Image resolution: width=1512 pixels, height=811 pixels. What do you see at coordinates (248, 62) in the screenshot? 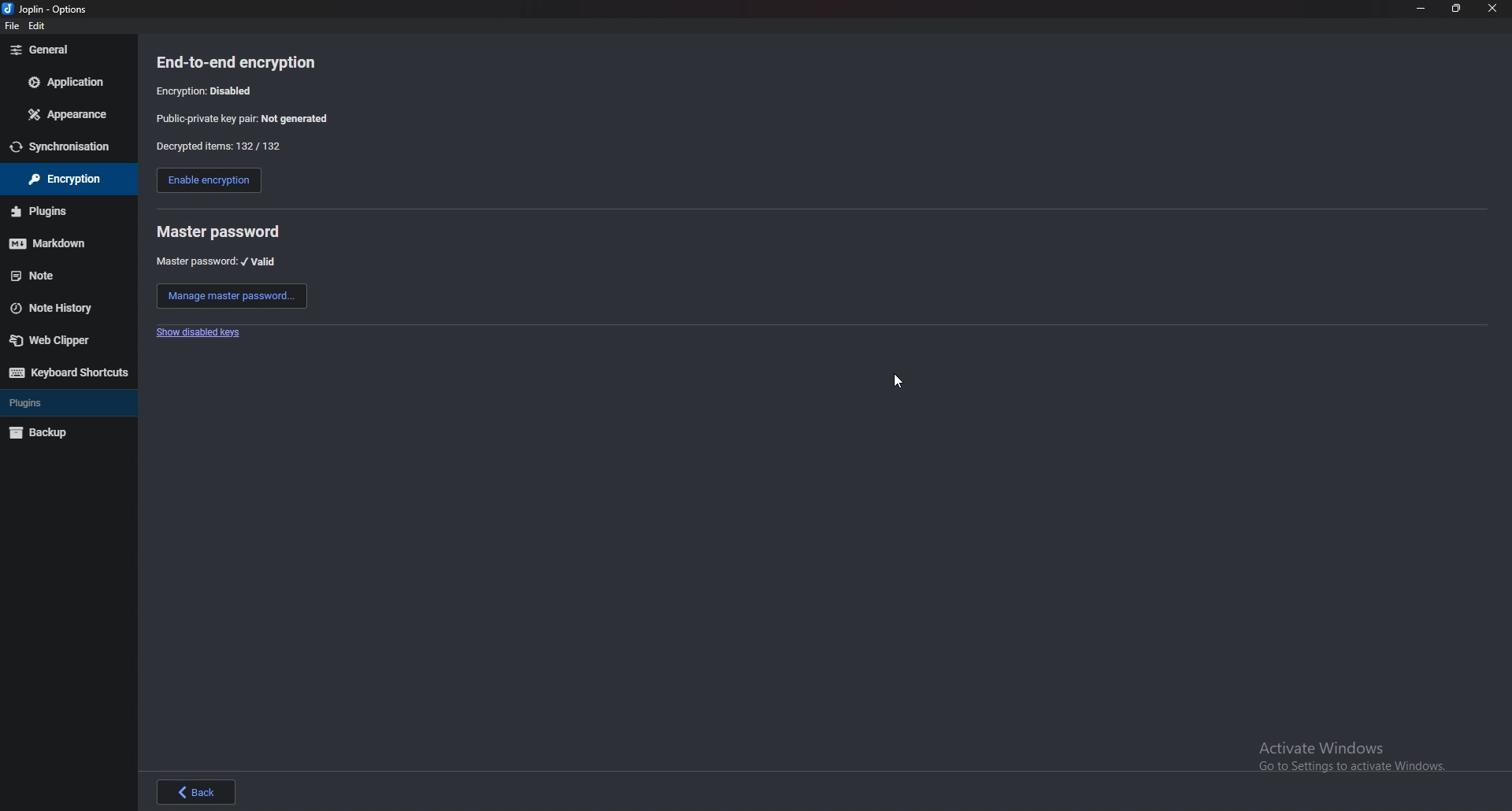
I see `end to end encryption` at bounding box center [248, 62].